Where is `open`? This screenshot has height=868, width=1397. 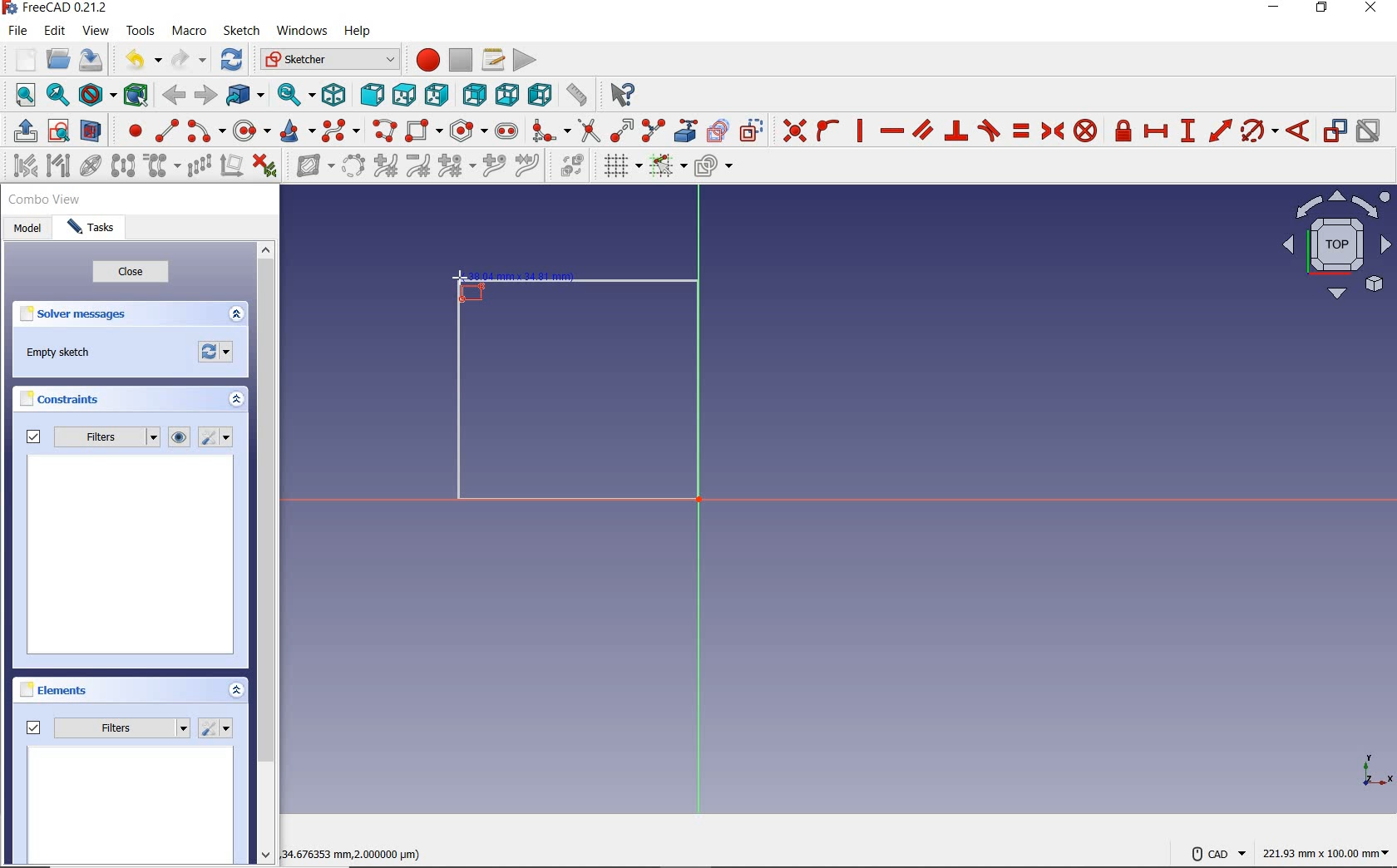 open is located at coordinates (57, 60).